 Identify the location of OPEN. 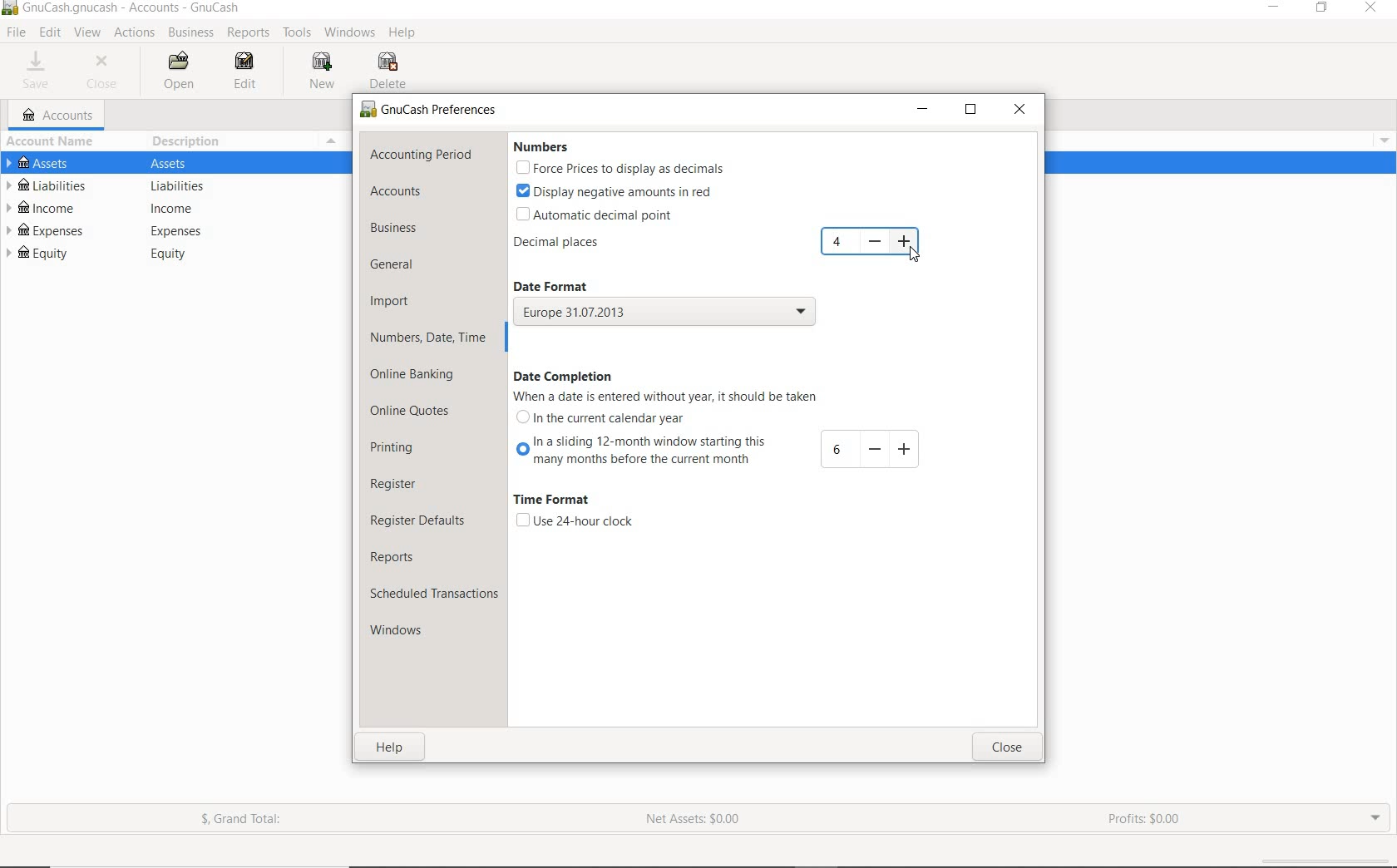
(176, 71).